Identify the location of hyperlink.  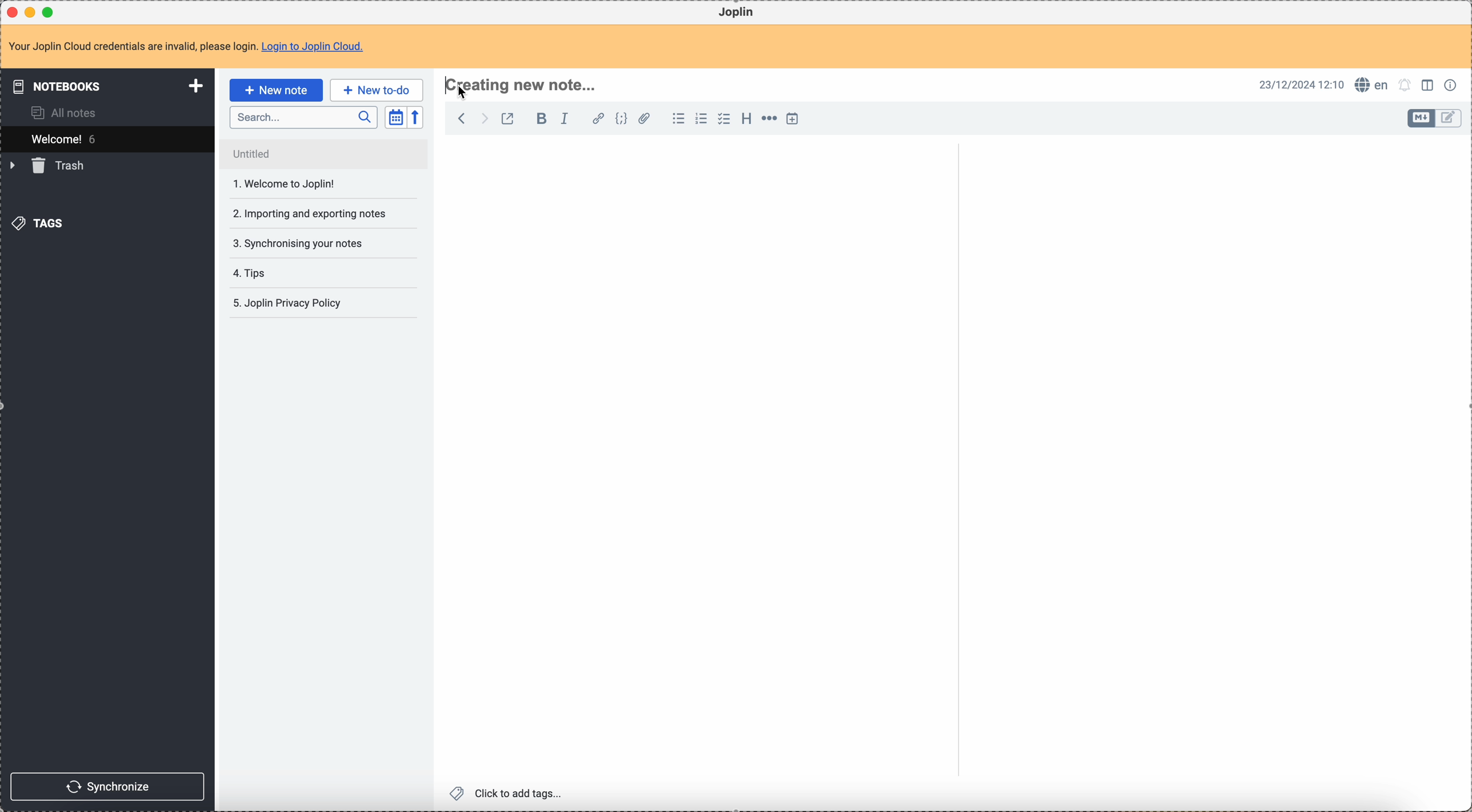
(598, 119).